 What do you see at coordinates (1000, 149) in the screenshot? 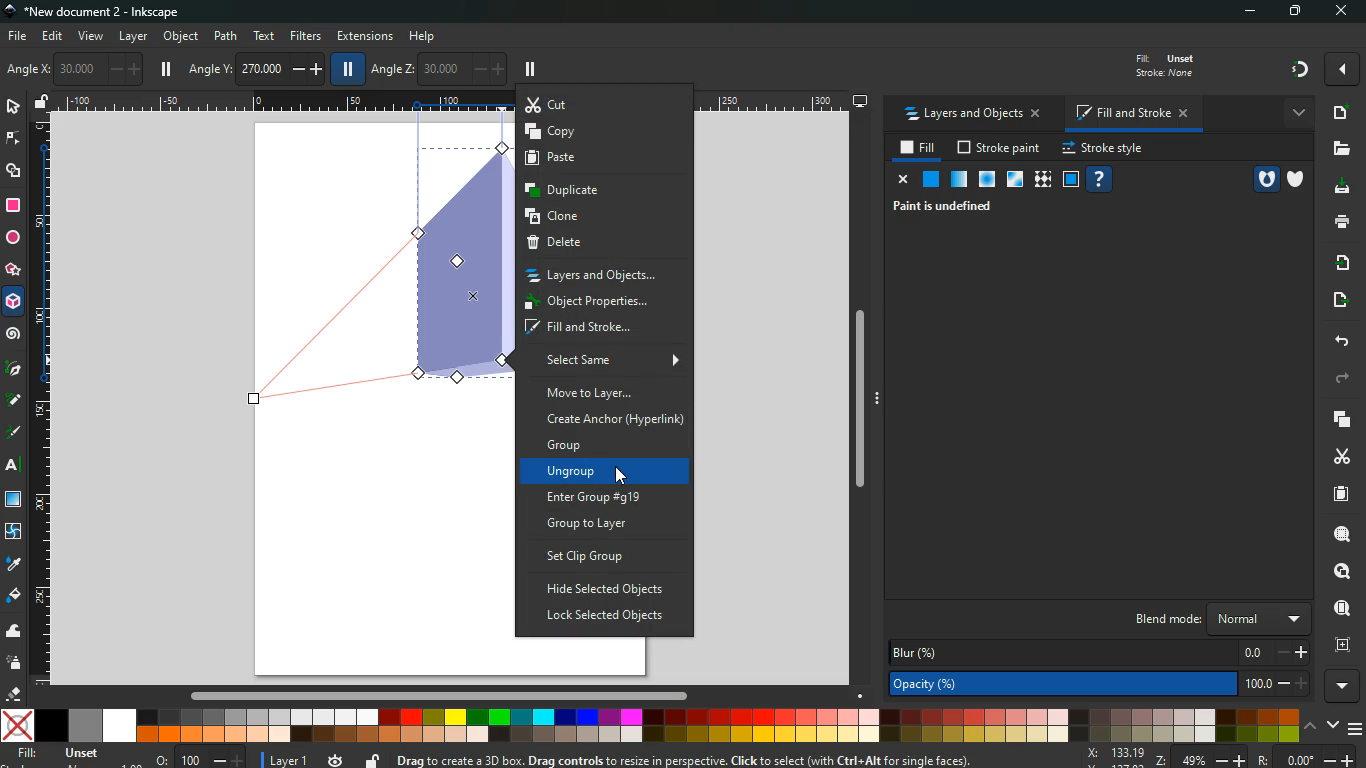
I see `stroke paint` at bounding box center [1000, 149].